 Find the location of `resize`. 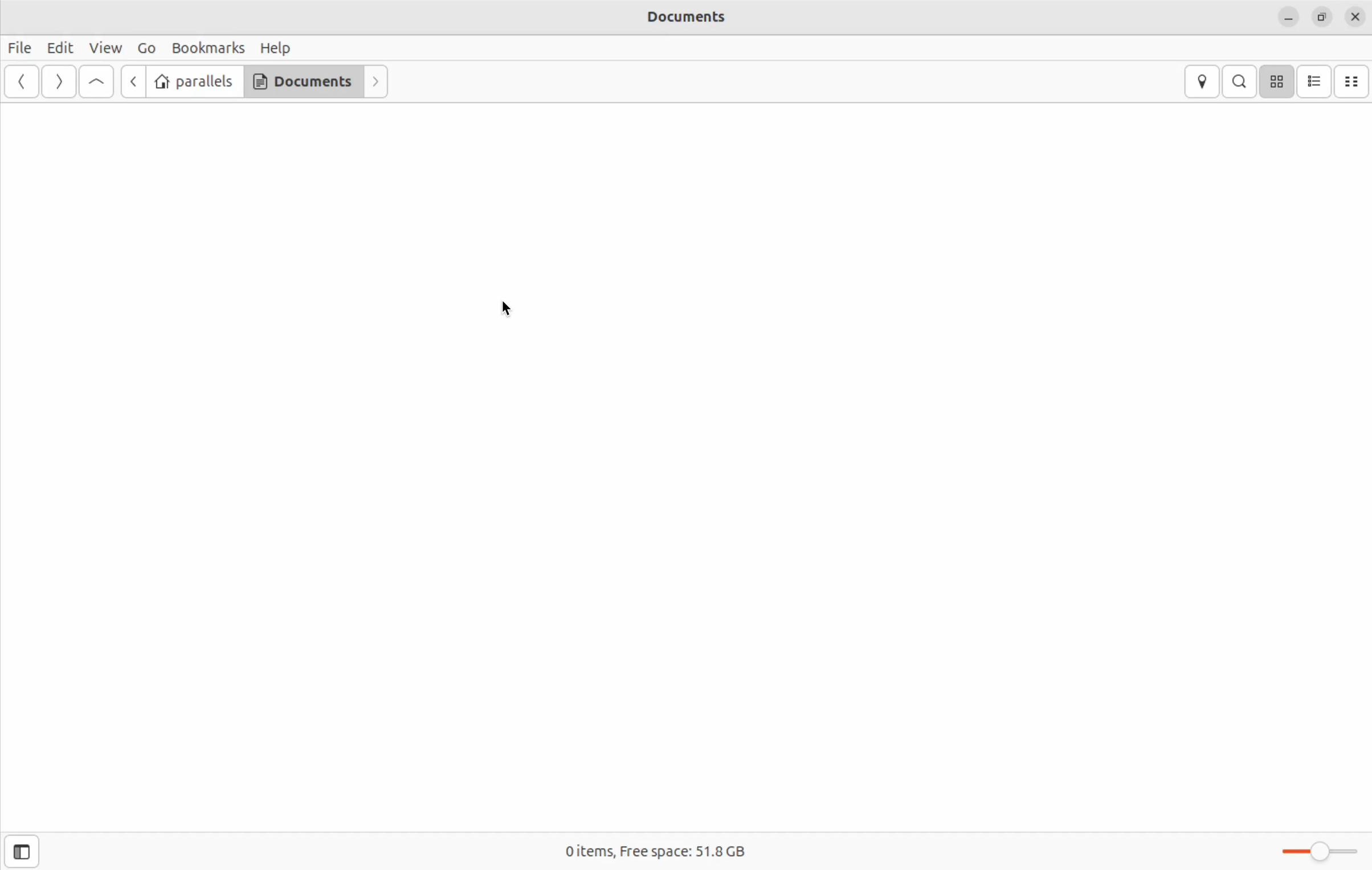

resize is located at coordinates (1322, 17).